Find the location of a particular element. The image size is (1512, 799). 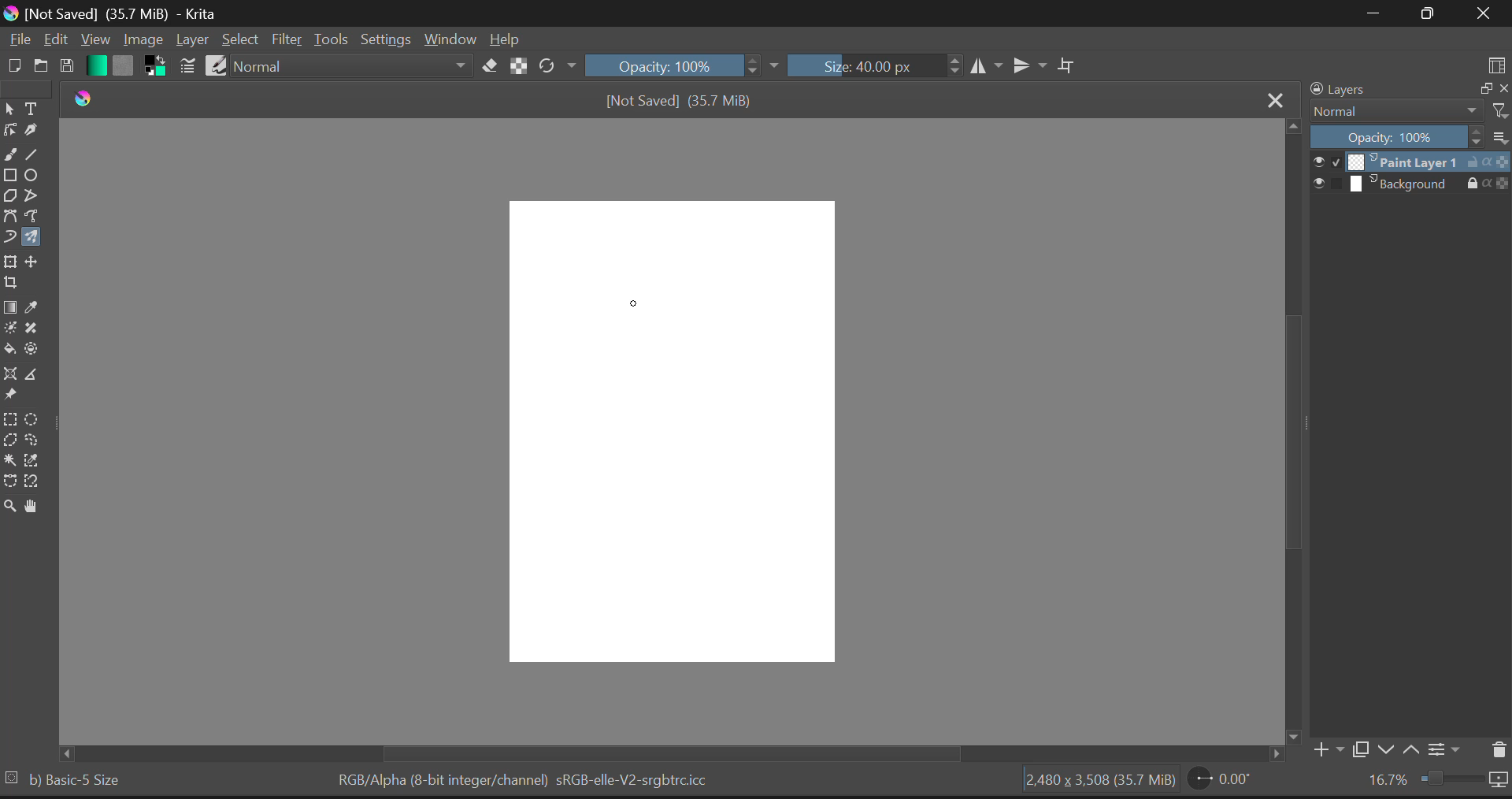

Pattern is located at coordinates (126, 66).